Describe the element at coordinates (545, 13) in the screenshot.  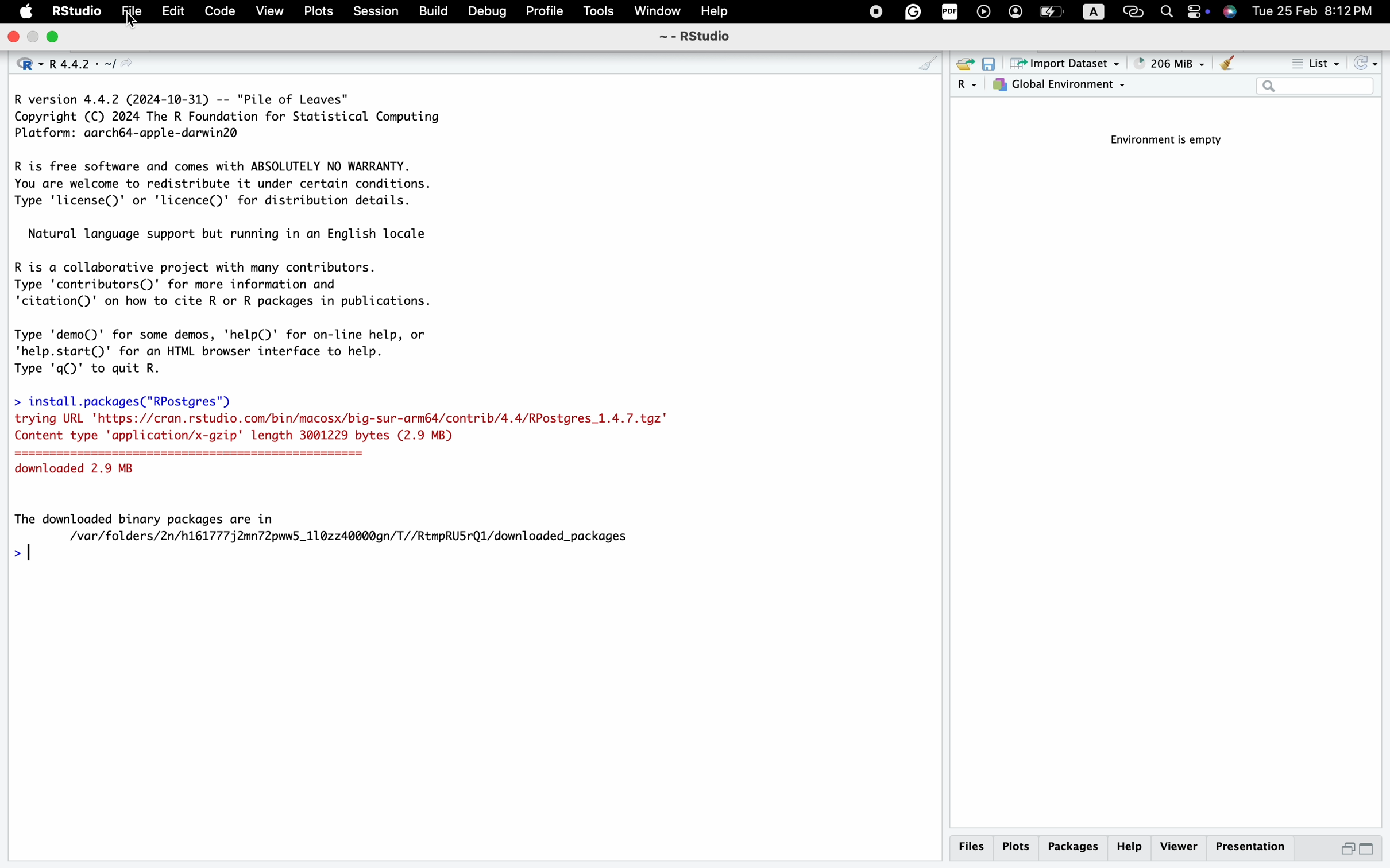
I see `profile` at that location.